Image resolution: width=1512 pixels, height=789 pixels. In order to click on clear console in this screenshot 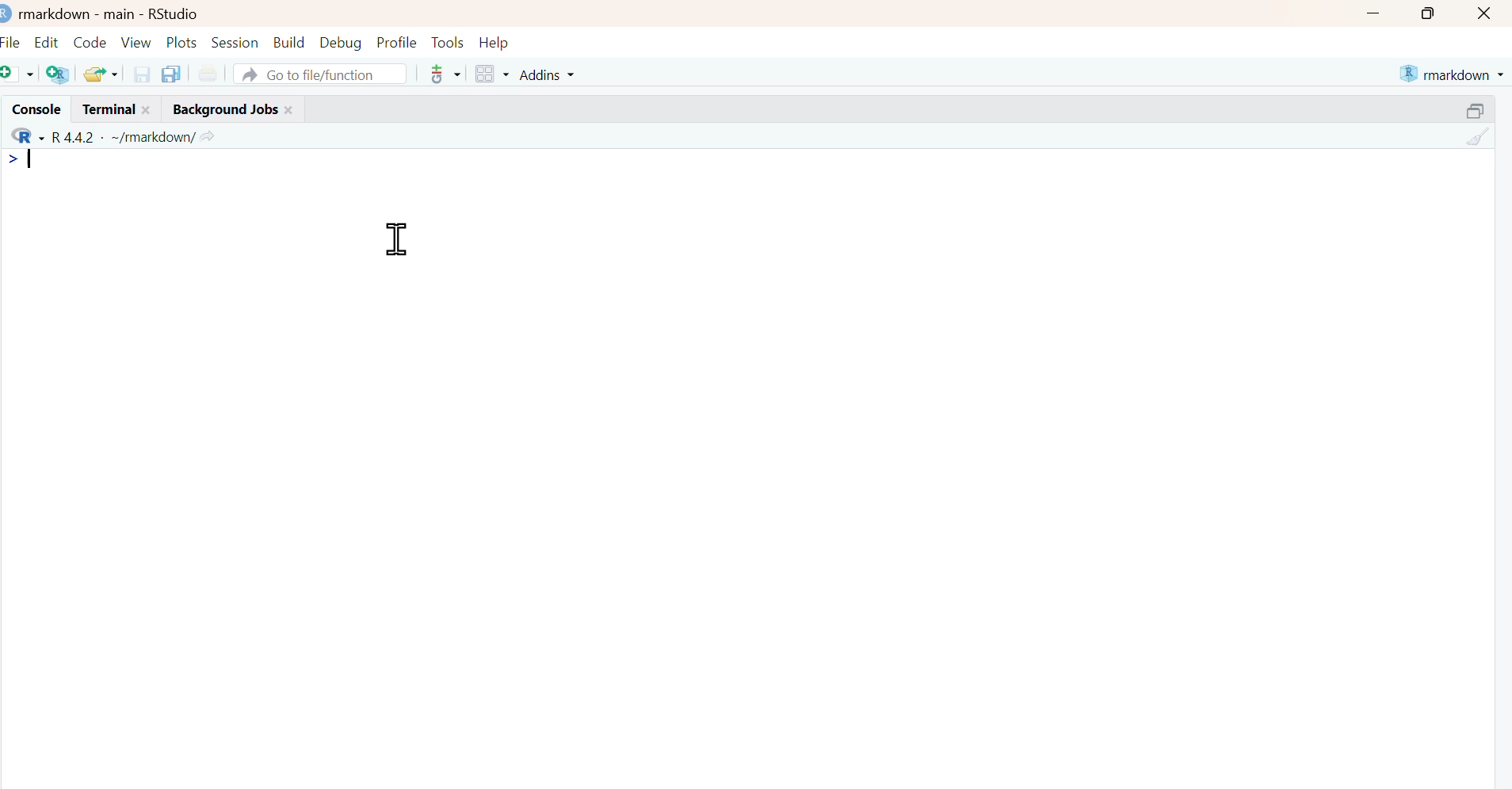, I will do `click(1479, 137)`.